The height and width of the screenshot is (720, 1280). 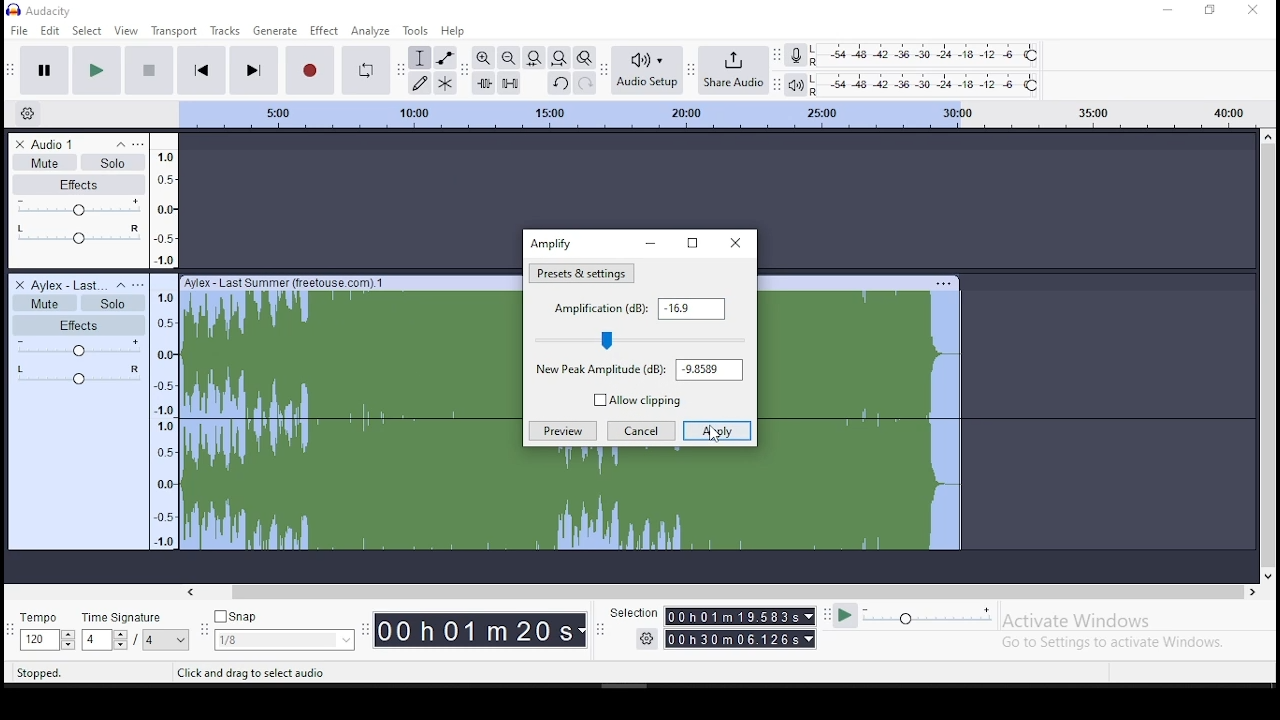 I want to click on mute, so click(x=43, y=162).